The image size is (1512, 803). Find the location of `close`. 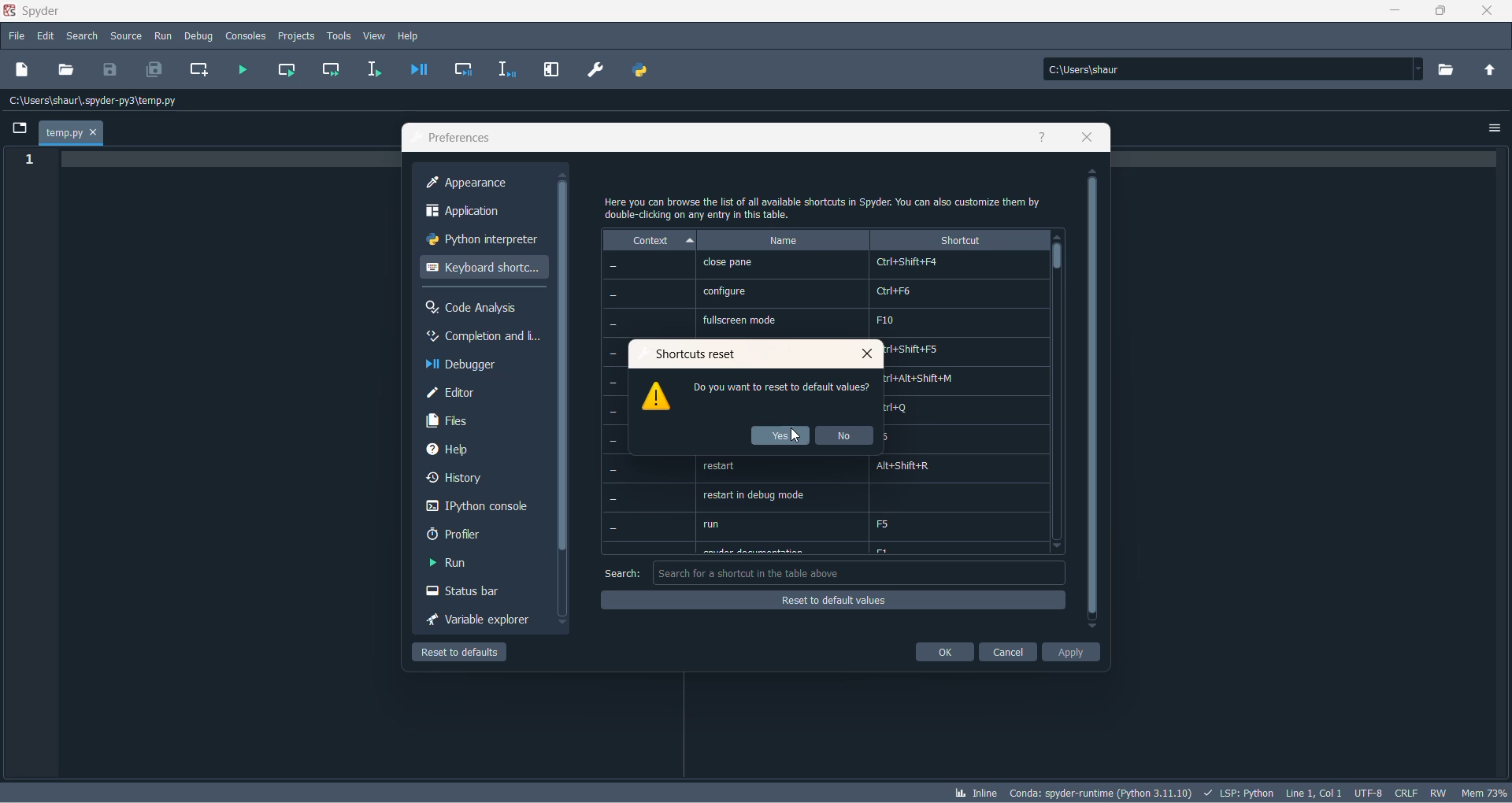

close is located at coordinates (867, 357).